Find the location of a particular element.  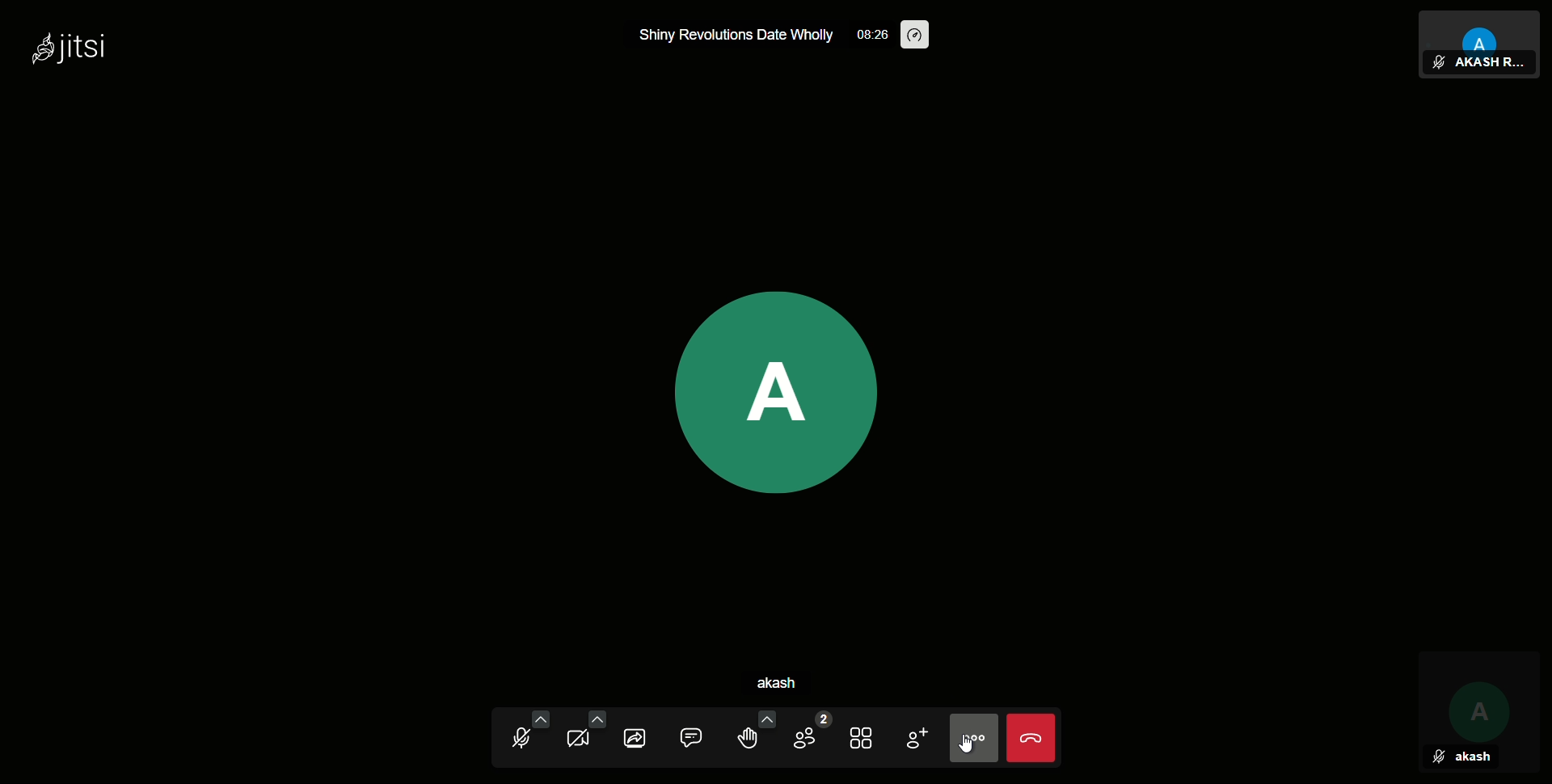

start screen sharing is located at coordinates (641, 736).